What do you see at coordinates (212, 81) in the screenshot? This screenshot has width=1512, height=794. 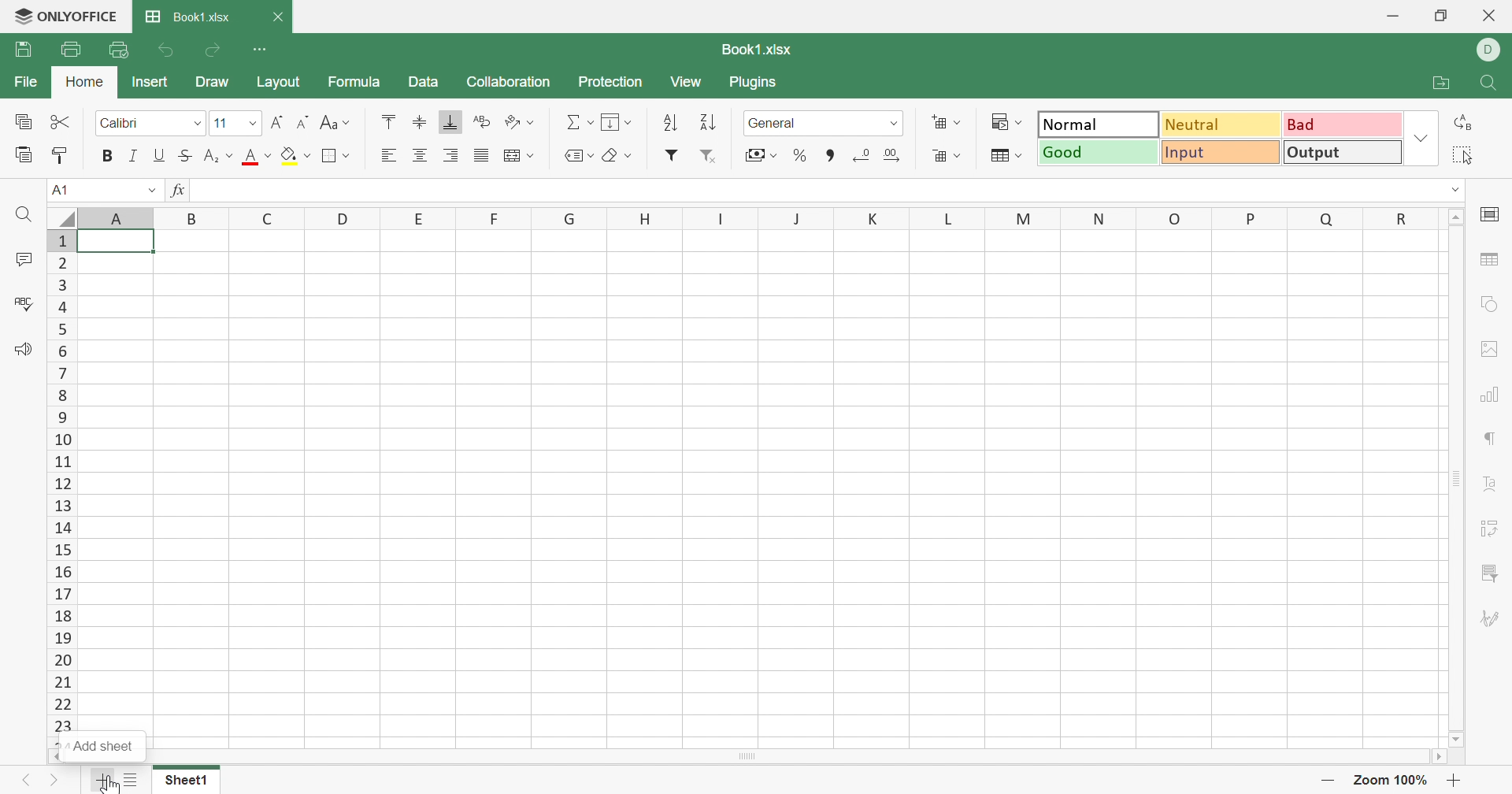 I see `Draw` at bounding box center [212, 81].